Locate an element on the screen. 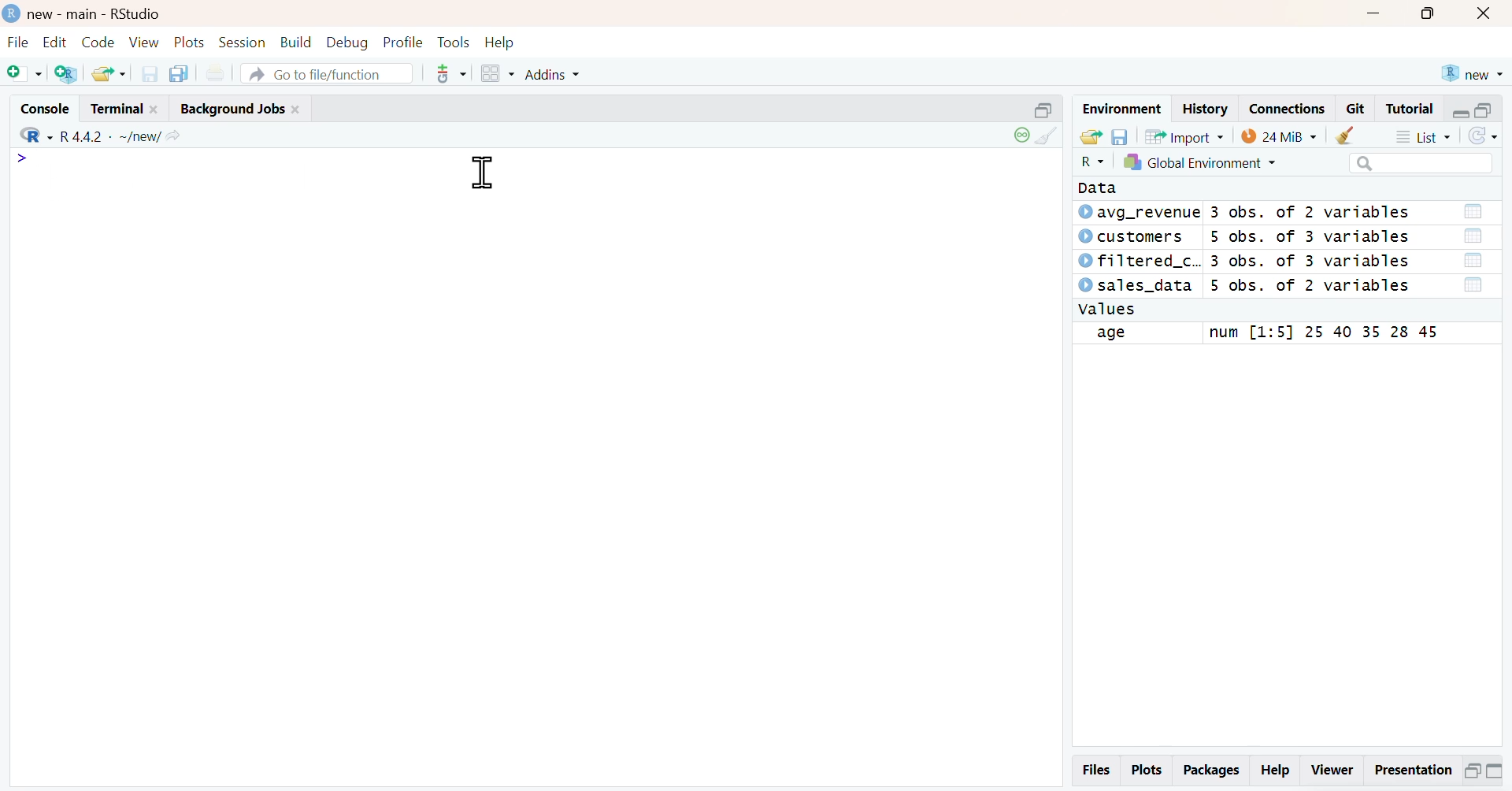 This screenshot has height=791, width=1512. Tutorial is located at coordinates (1408, 109).